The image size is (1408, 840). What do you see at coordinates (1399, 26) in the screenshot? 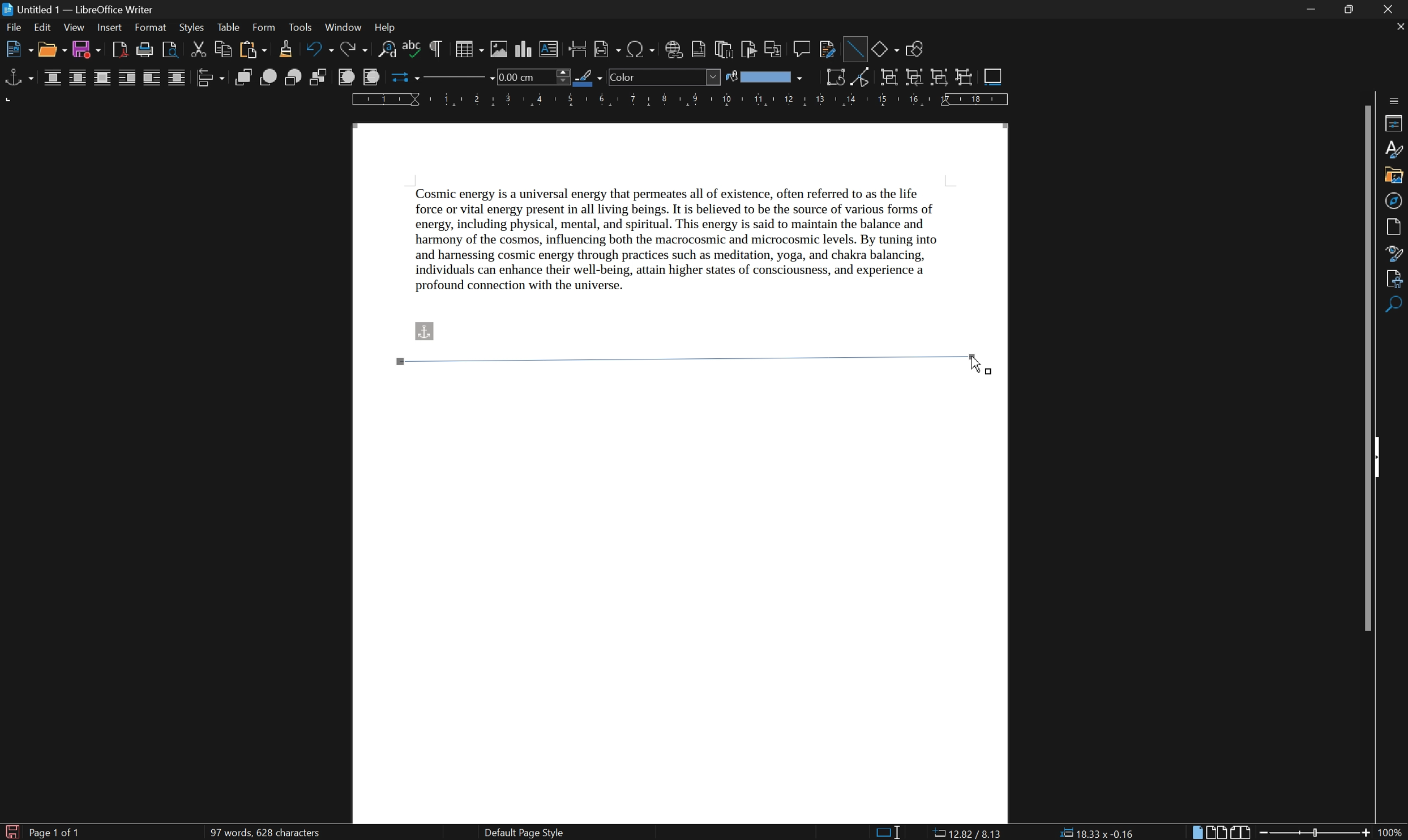
I see `close` at bounding box center [1399, 26].